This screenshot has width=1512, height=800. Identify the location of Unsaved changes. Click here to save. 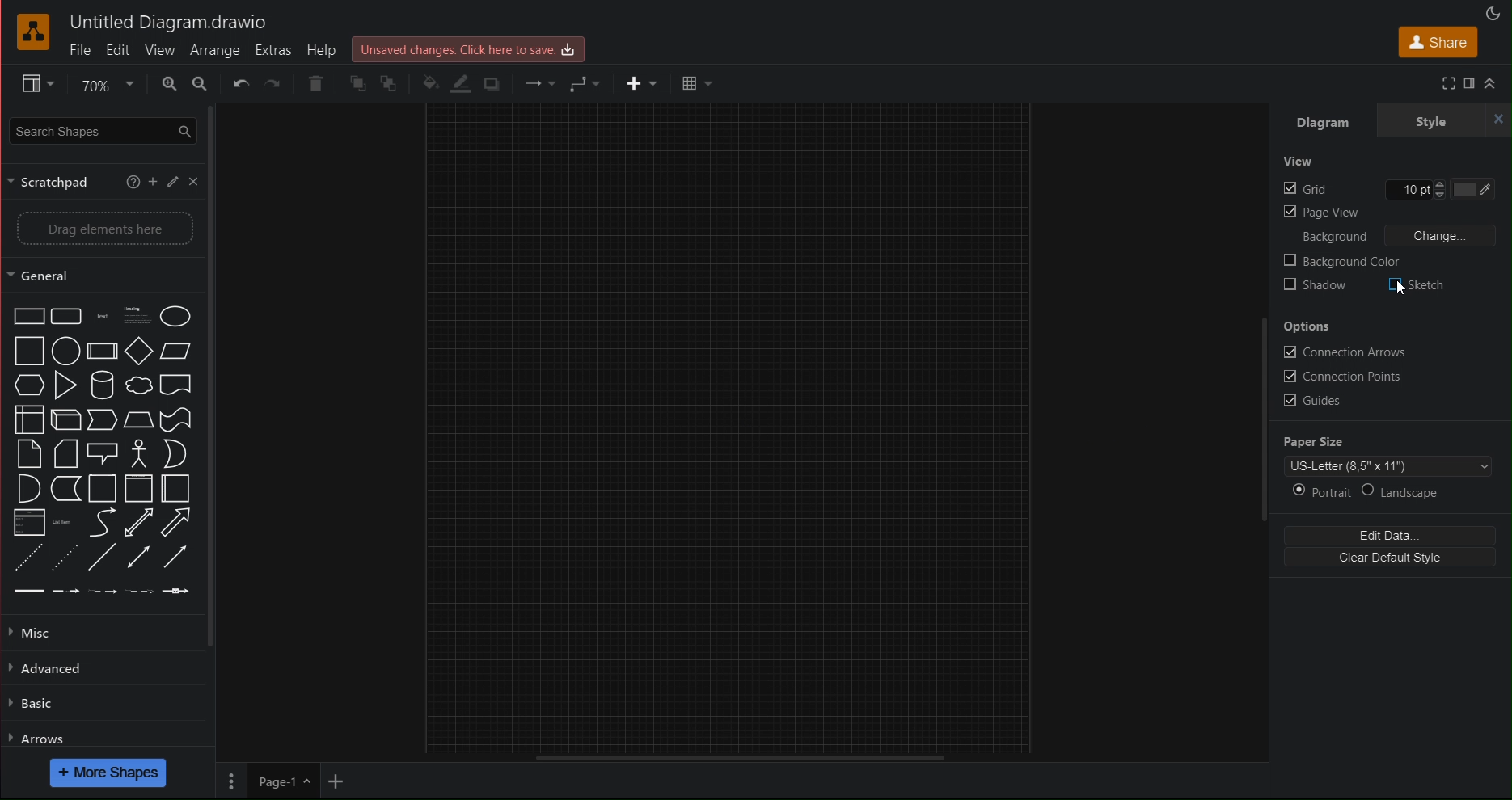
(471, 49).